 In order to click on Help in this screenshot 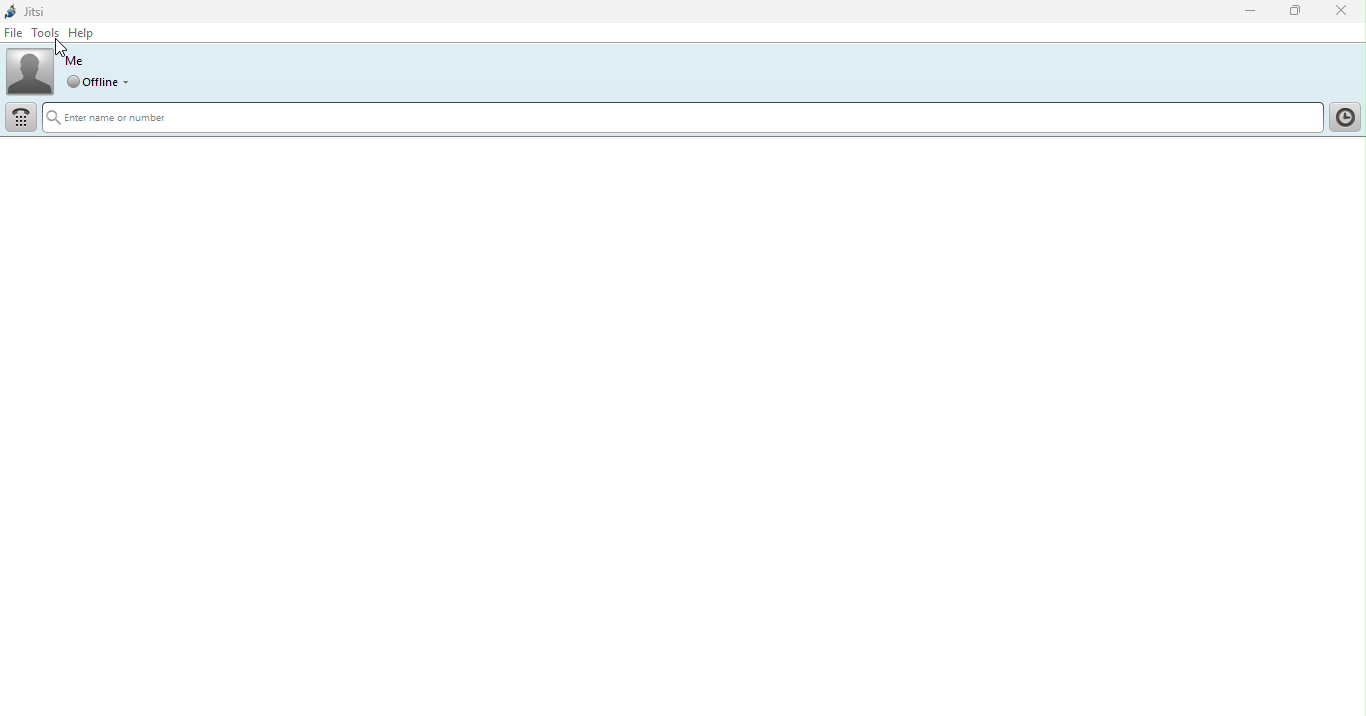, I will do `click(89, 32)`.